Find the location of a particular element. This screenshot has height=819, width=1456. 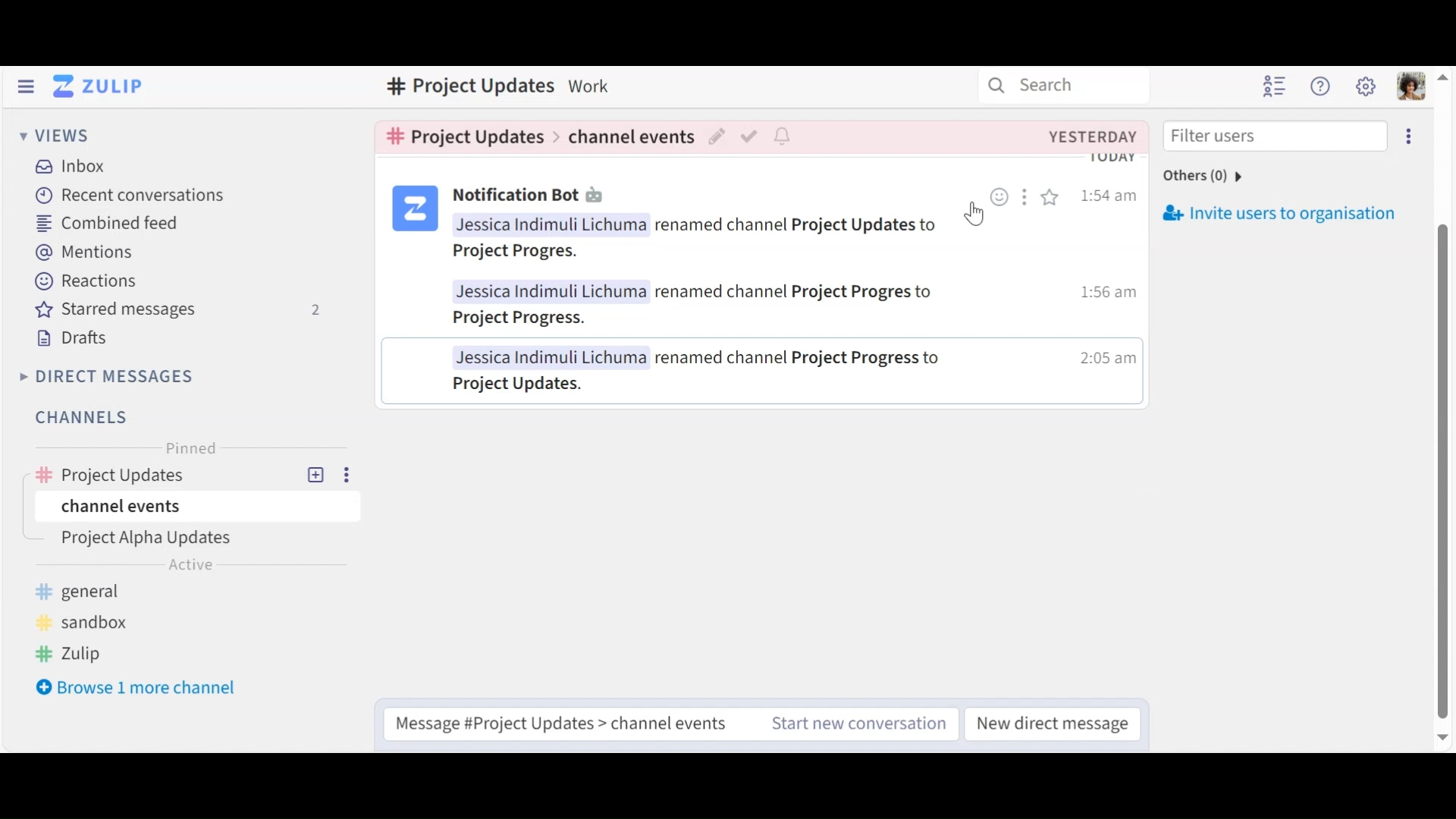

Compose messages is located at coordinates (563, 720).